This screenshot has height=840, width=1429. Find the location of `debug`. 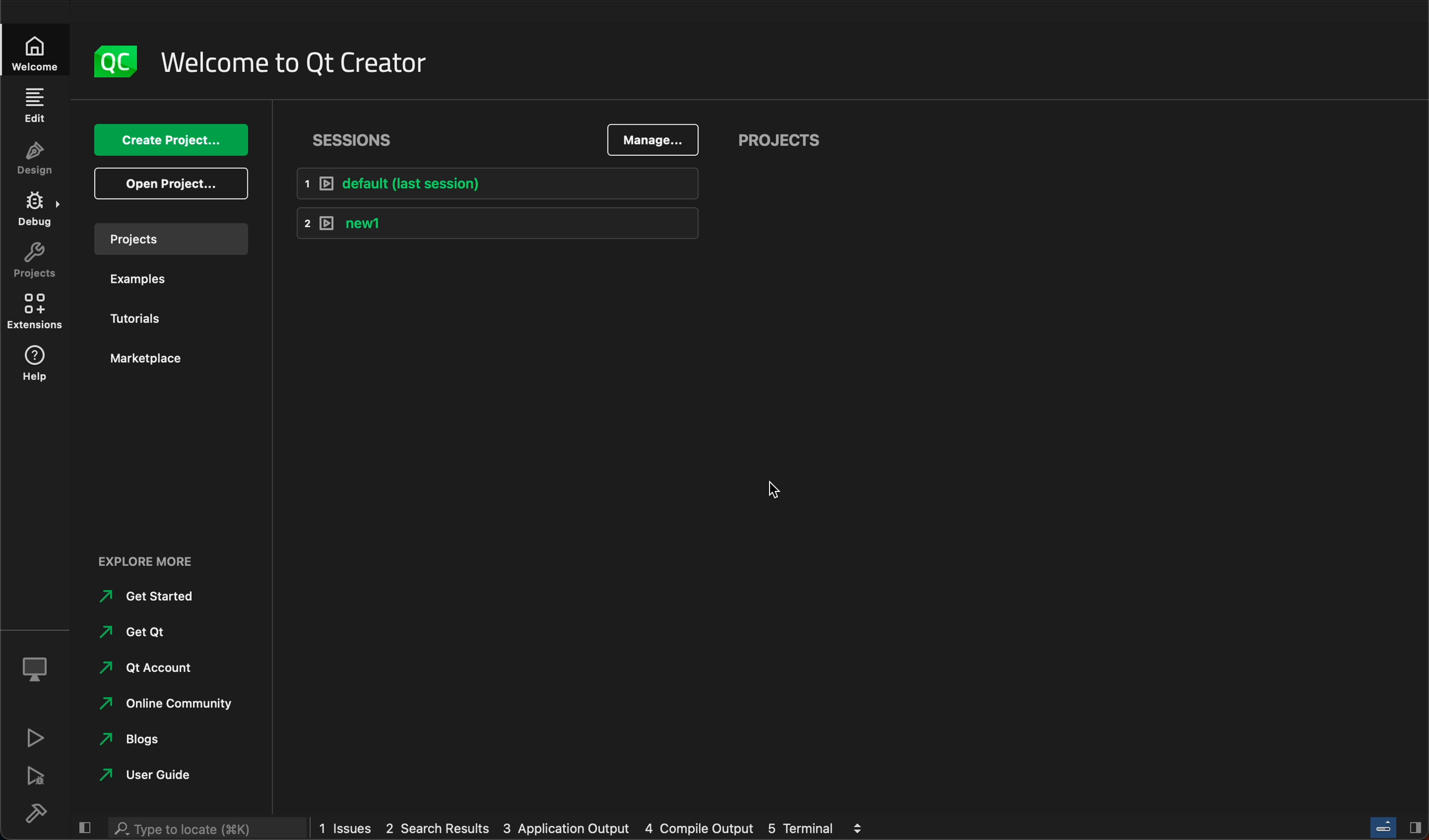

debug is located at coordinates (37, 212).